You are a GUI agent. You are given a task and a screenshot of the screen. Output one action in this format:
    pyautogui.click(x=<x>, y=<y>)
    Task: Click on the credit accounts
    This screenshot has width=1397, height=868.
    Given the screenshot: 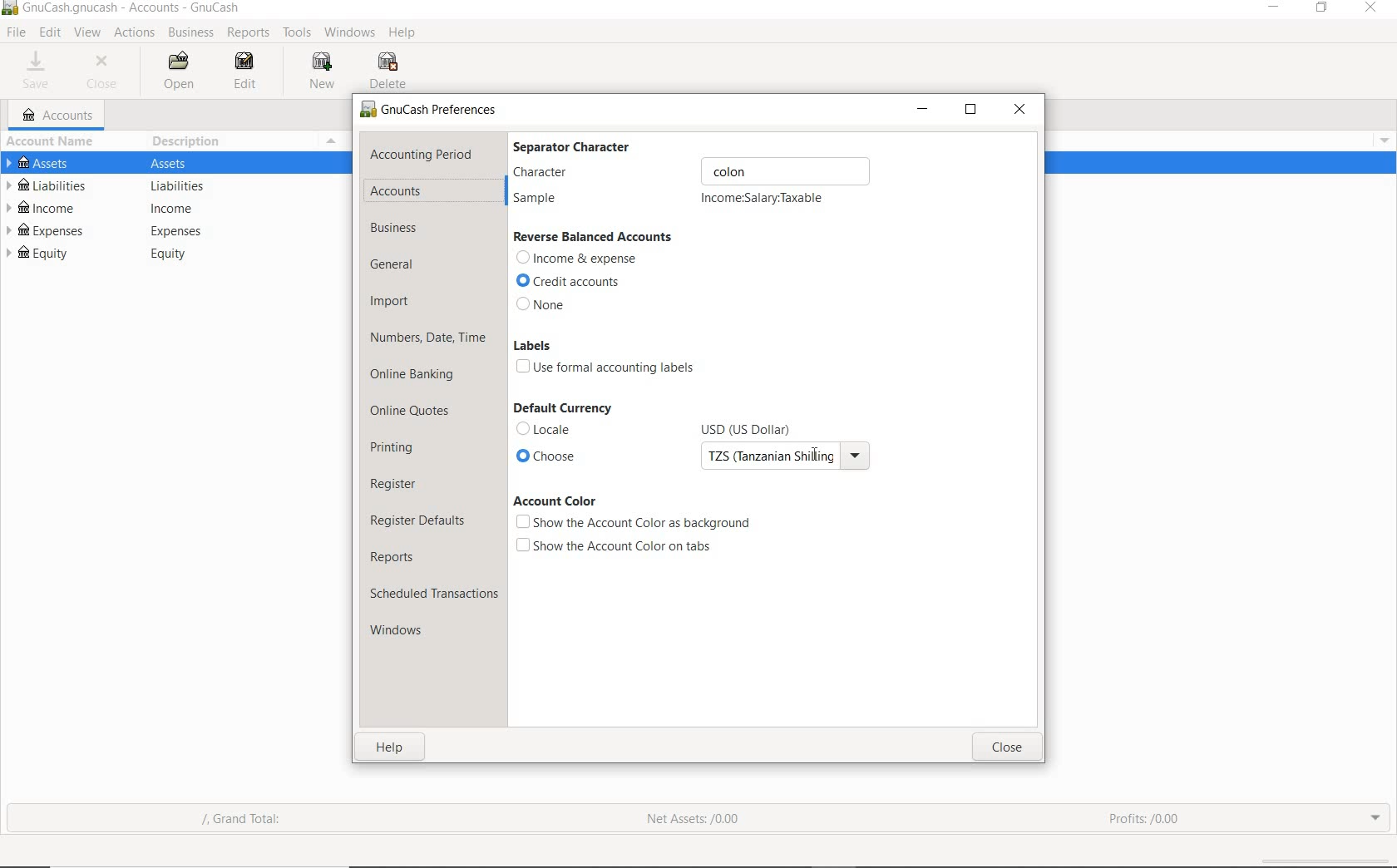 What is the action you would take?
    pyautogui.click(x=573, y=282)
    